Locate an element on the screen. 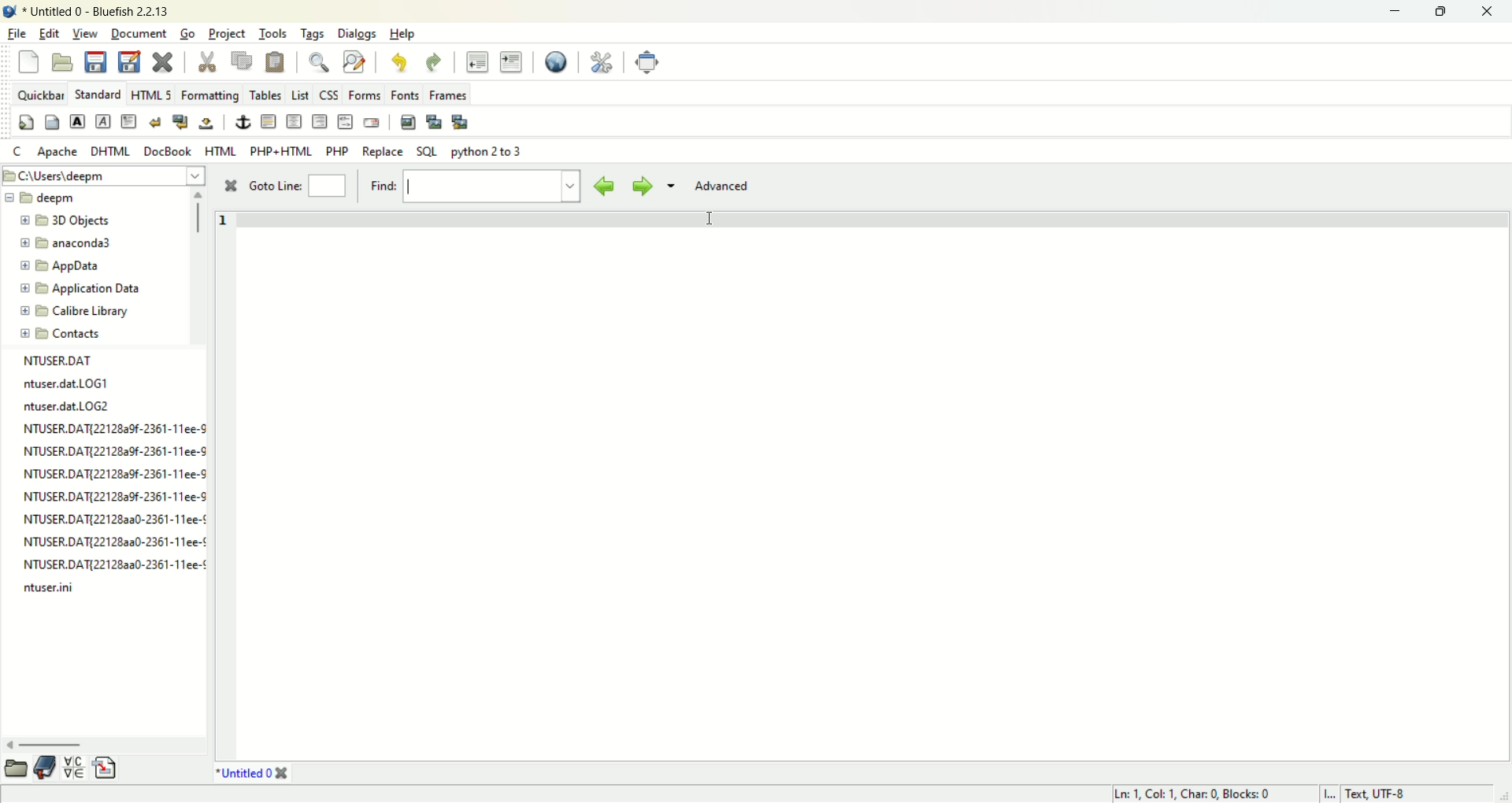 Image resolution: width=1512 pixels, height=803 pixels. paragraph is located at coordinates (128, 121).